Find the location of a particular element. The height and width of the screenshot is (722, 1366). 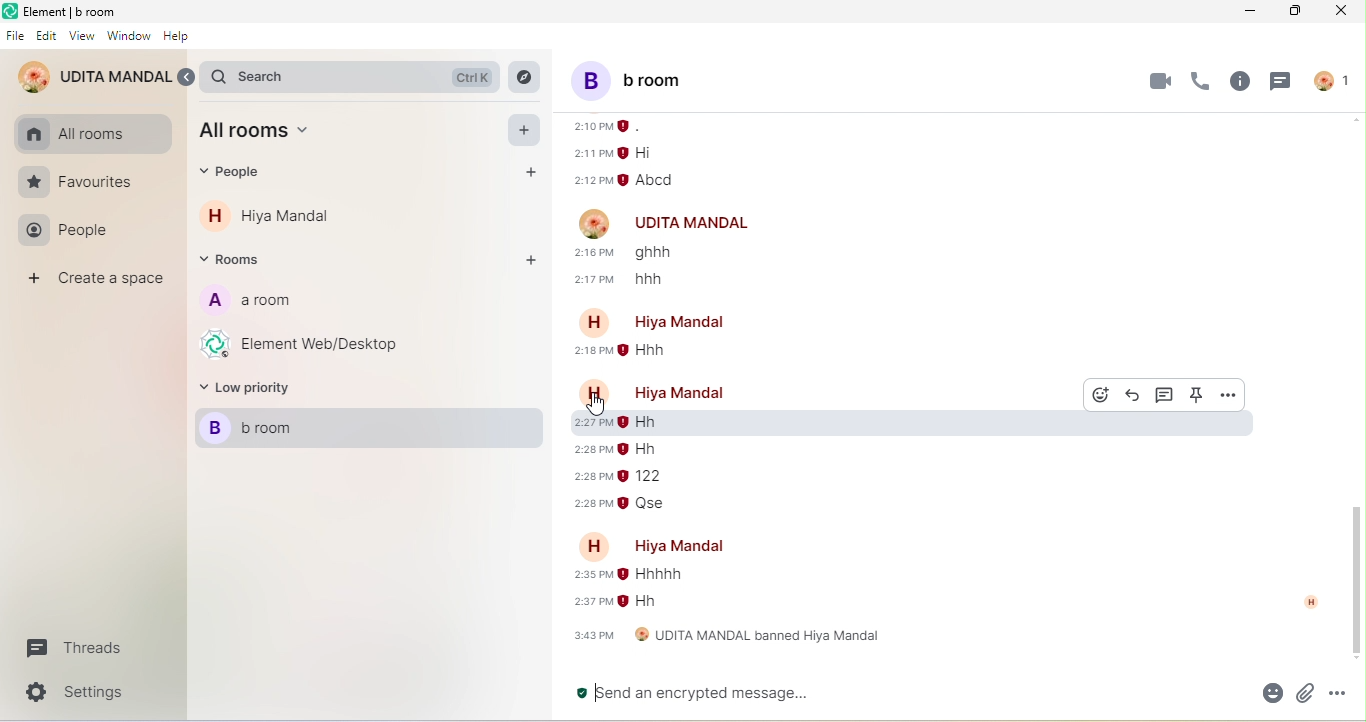

account profile image is located at coordinates (595, 222).